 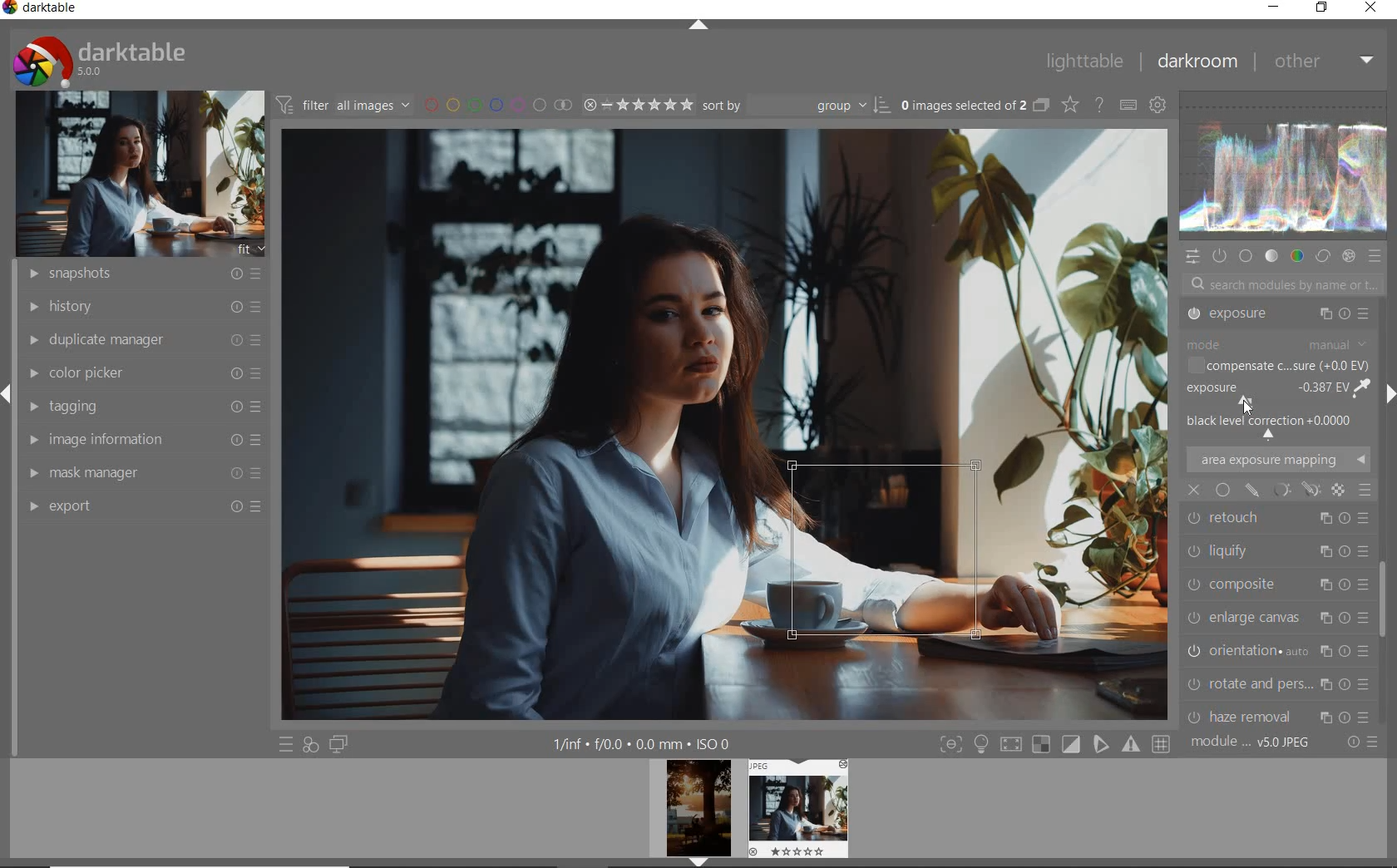 I want to click on EXPAND/COLLAPSE, so click(x=699, y=26).